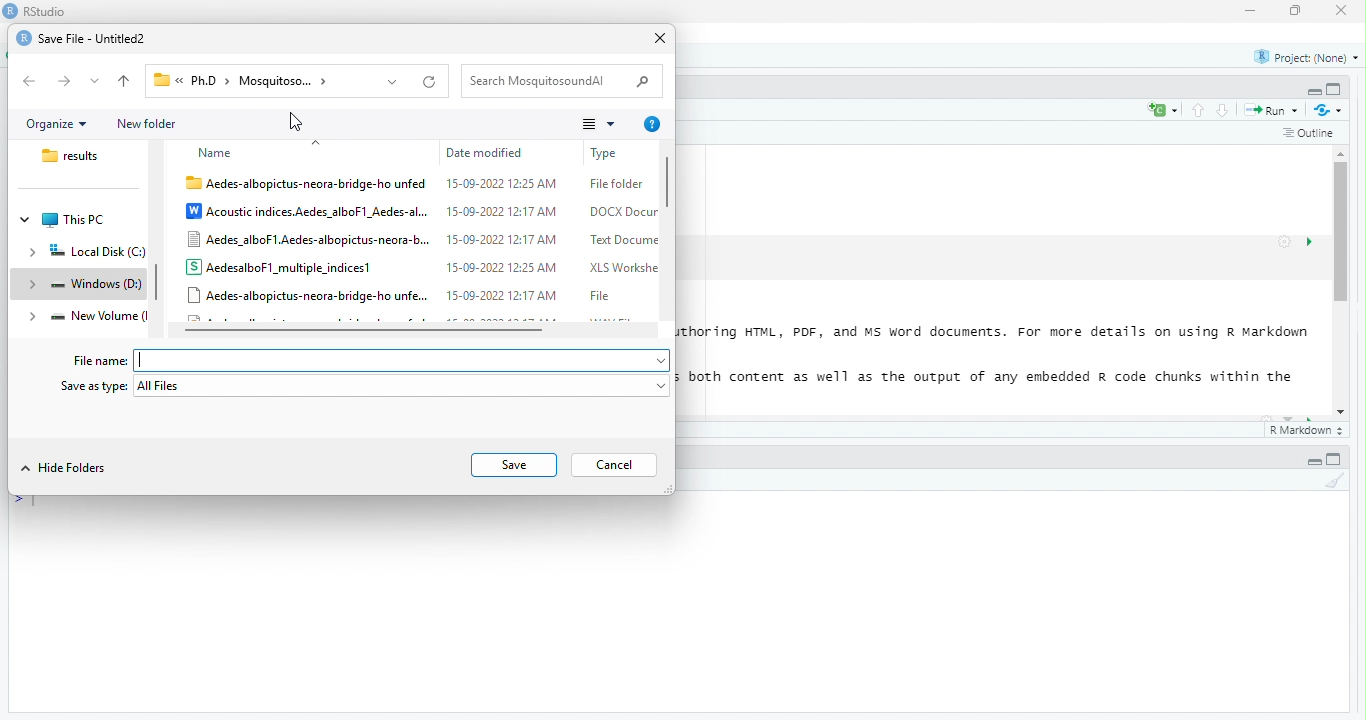 The image size is (1366, 720). Describe the element at coordinates (96, 81) in the screenshot. I see `Drop-down ` at that location.